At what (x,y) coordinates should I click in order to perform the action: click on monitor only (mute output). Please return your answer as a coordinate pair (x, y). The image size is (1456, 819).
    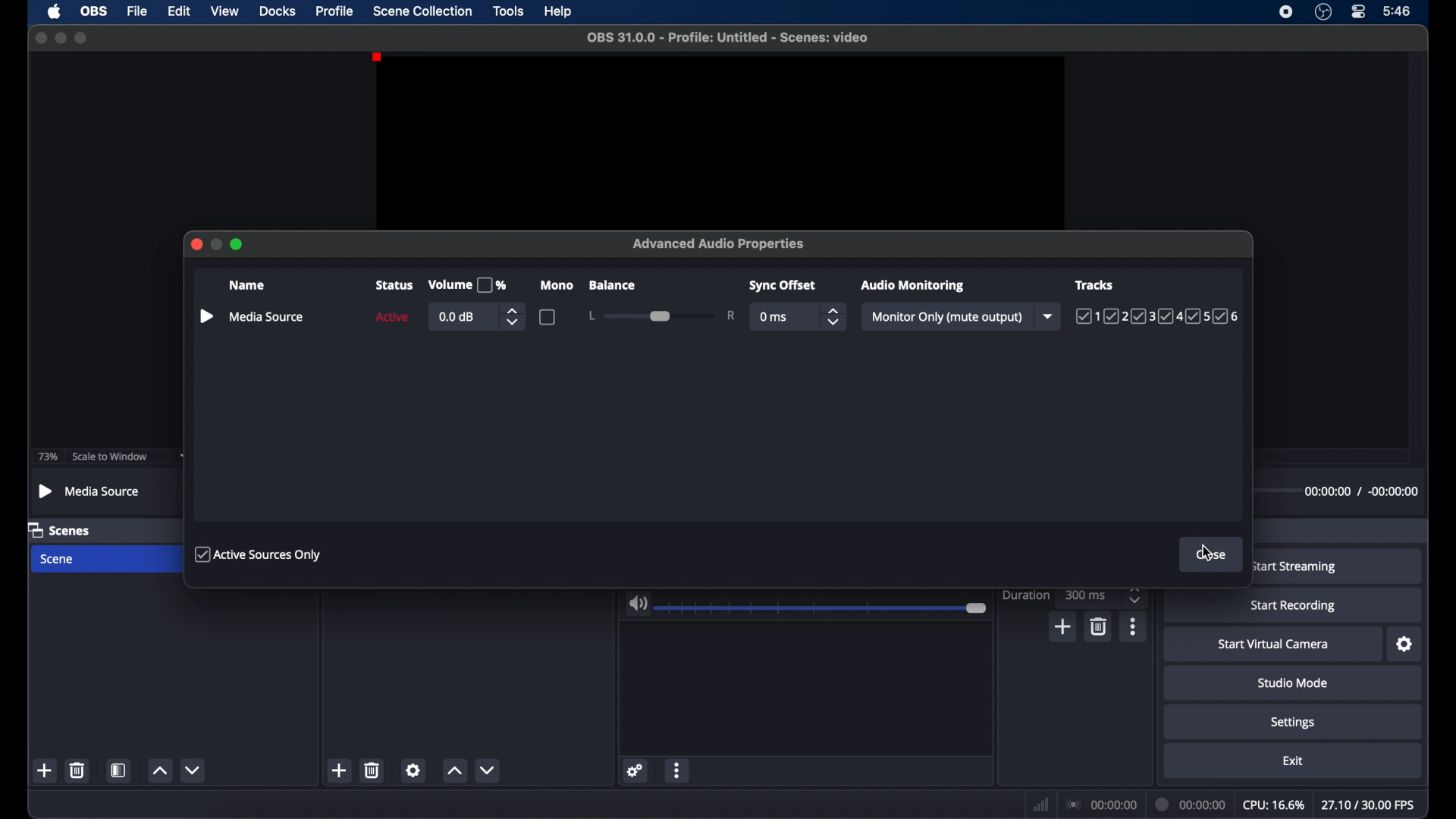
    Looking at the image, I should click on (948, 317).